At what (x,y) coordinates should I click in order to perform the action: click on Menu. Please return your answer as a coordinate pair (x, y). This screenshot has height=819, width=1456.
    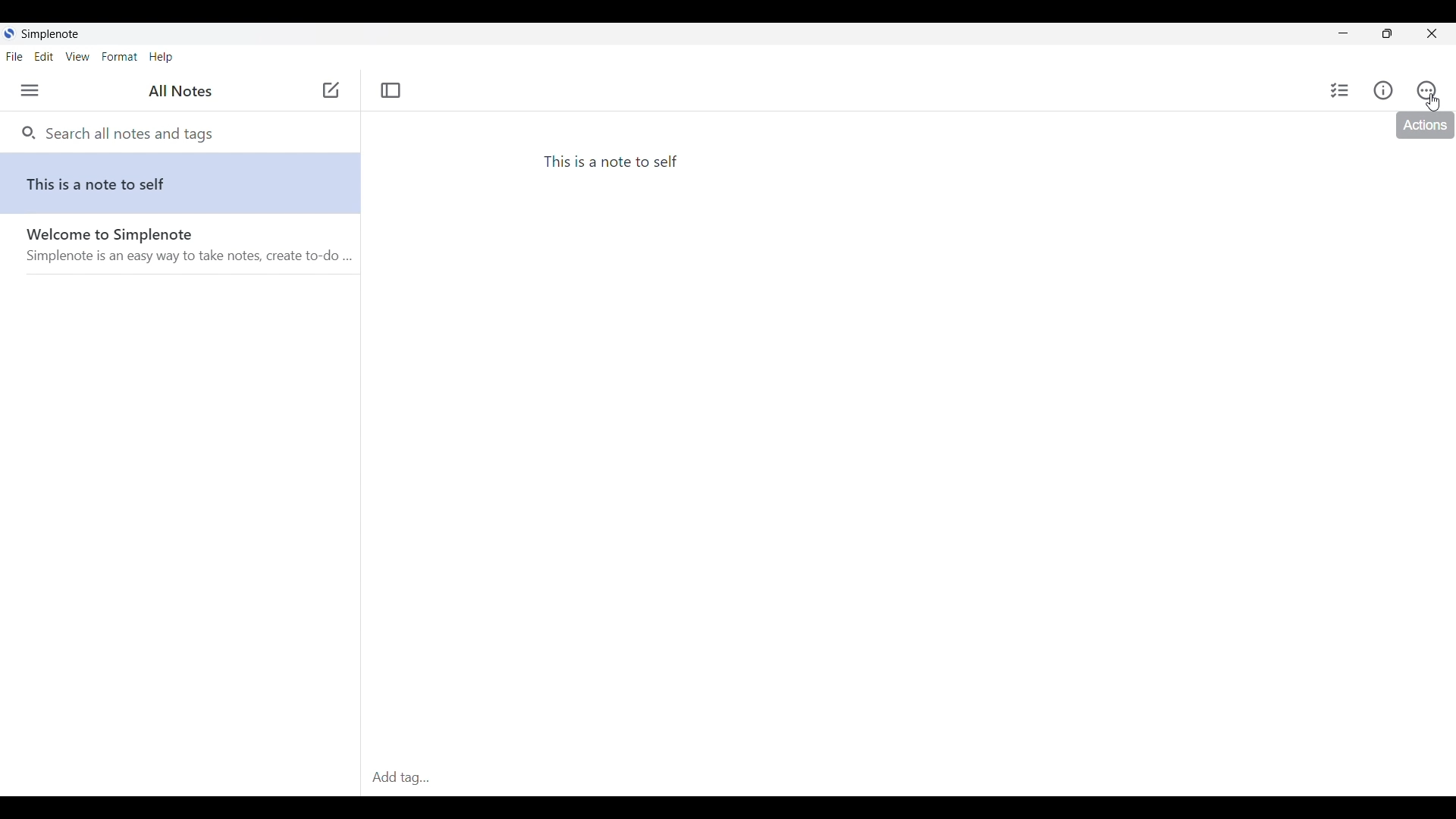
    Looking at the image, I should click on (30, 90).